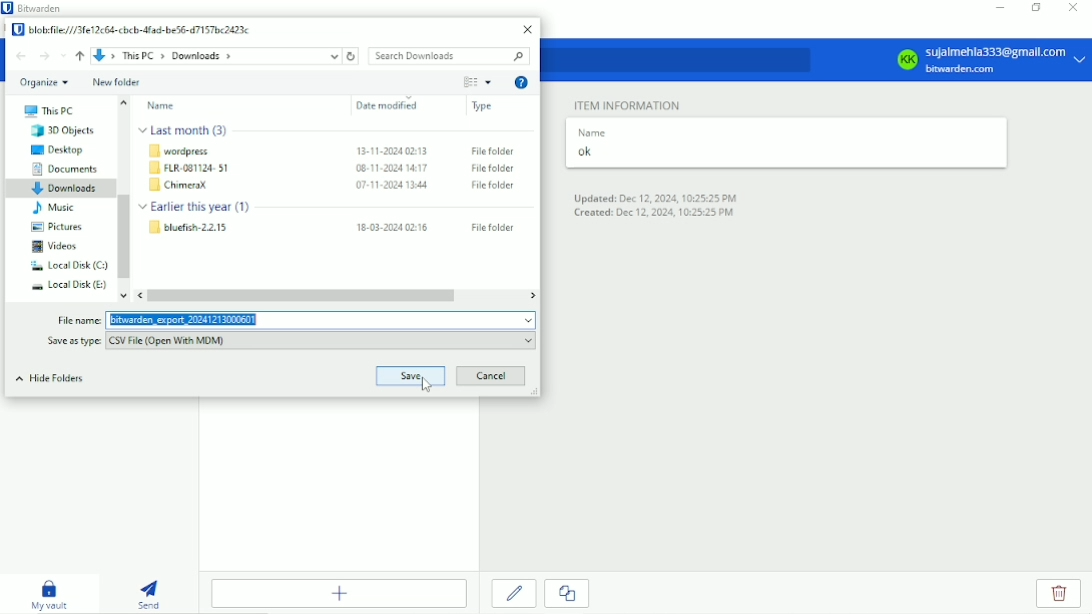 Image resolution: width=1092 pixels, height=614 pixels. Describe the element at coordinates (427, 386) in the screenshot. I see `Cursor` at that location.